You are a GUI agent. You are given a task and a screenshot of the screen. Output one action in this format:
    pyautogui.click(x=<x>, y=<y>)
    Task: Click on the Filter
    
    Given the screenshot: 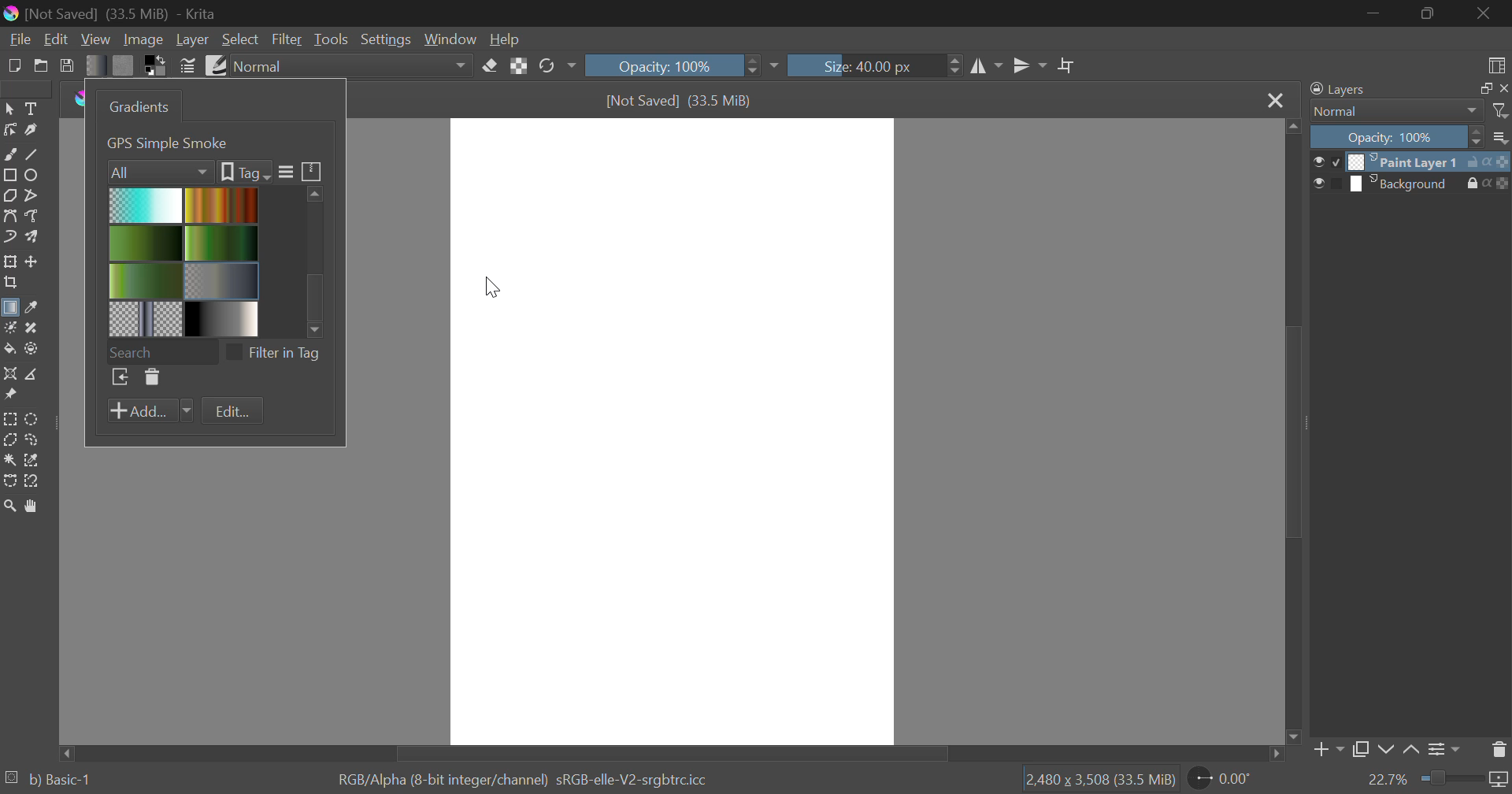 What is the action you would take?
    pyautogui.click(x=288, y=39)
    